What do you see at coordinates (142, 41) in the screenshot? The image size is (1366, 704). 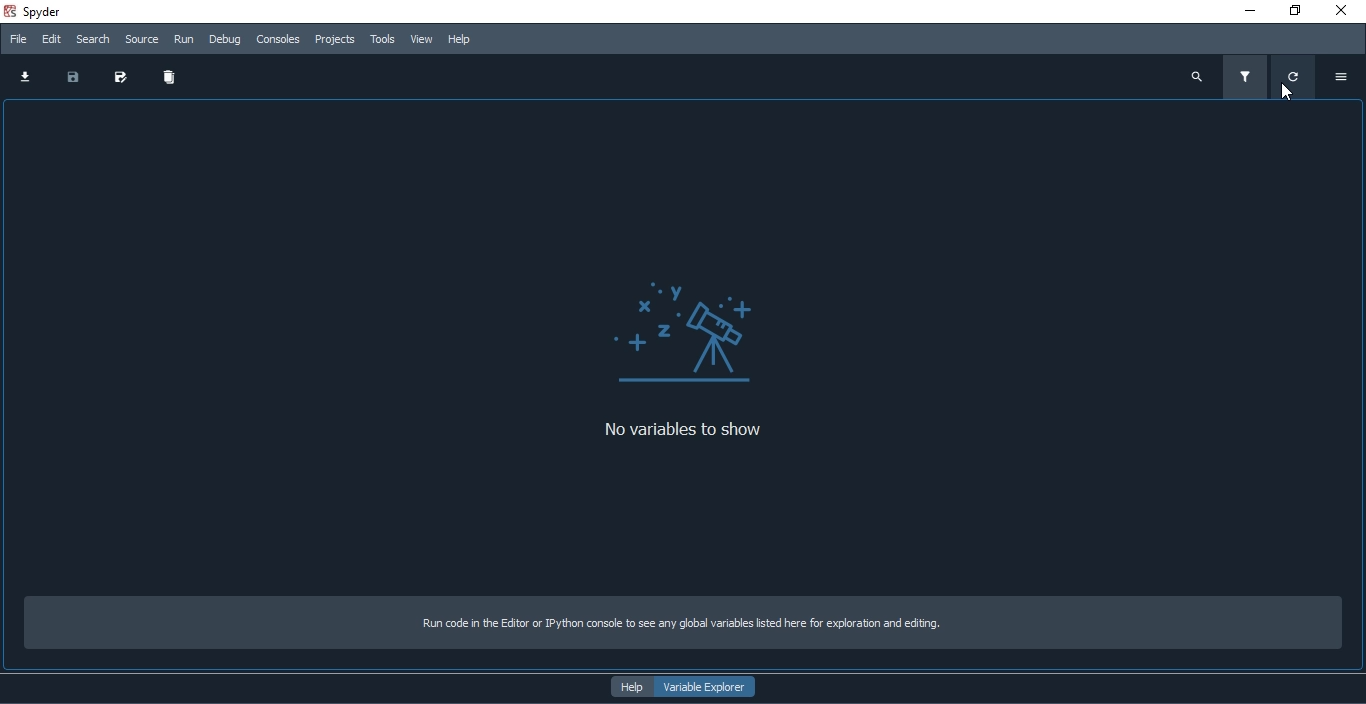 I see `source` at bounding box center [142, 41].